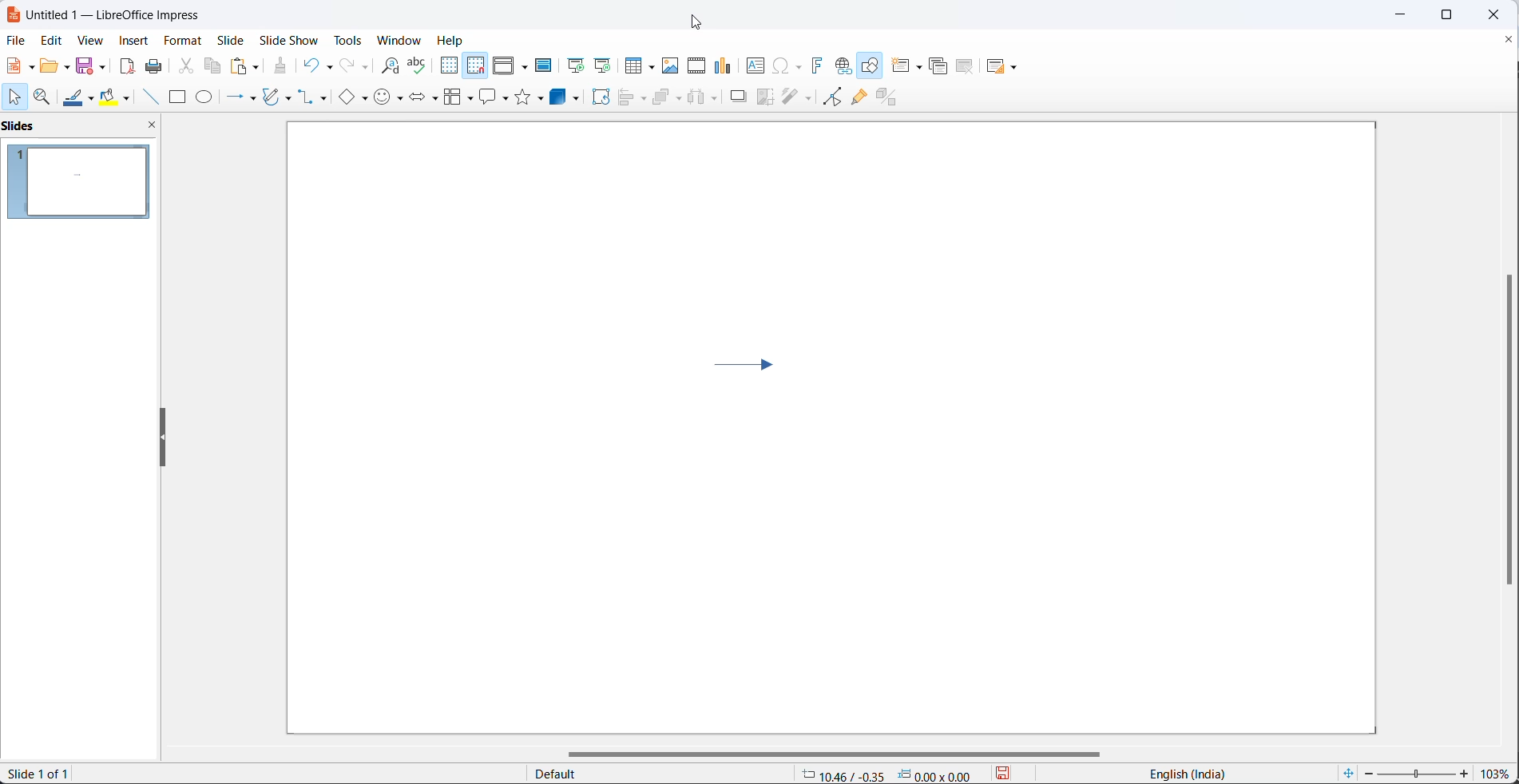  I want to click on insert special characters, so click(787, 65).